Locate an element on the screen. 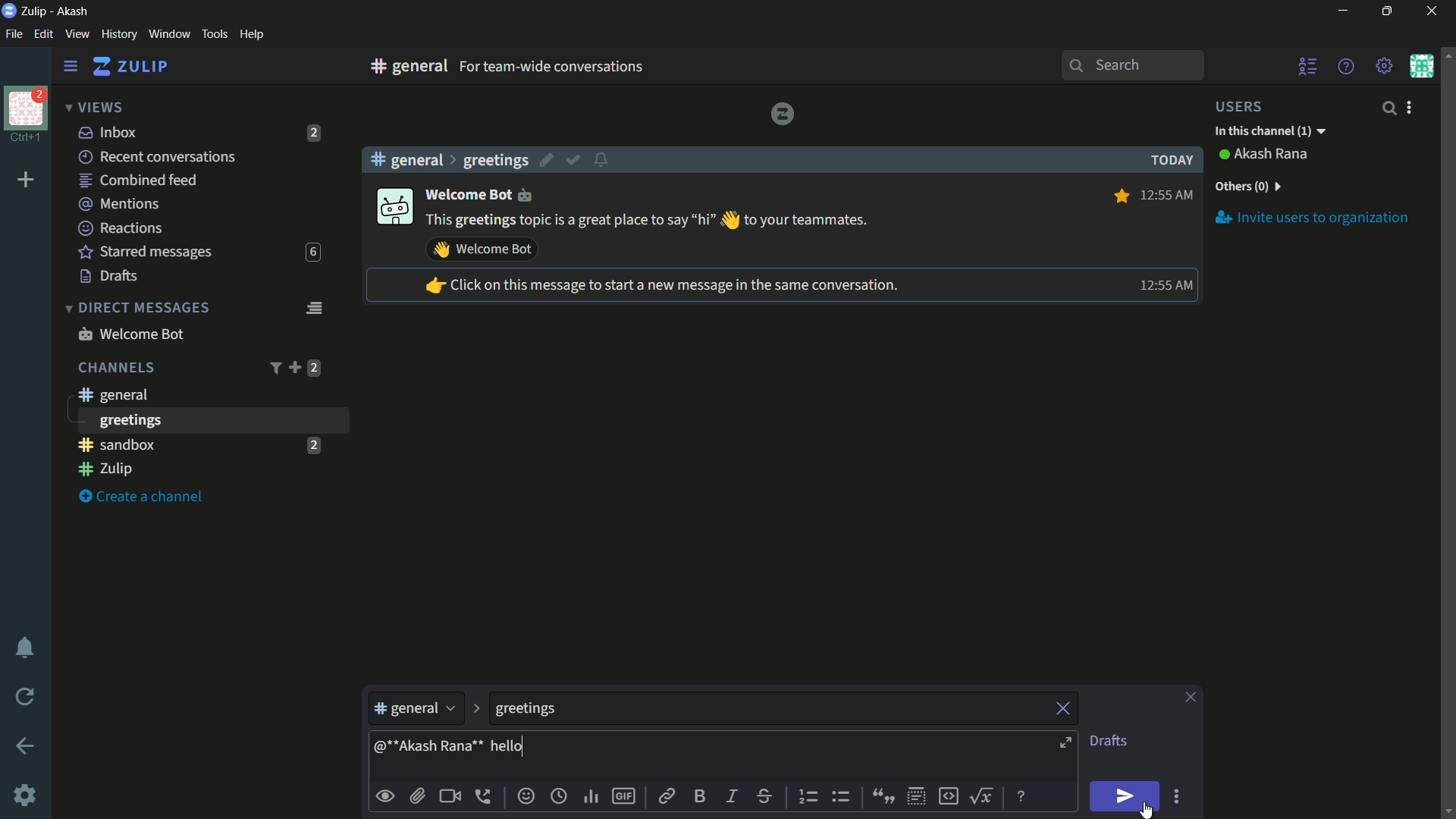 This screenshot has width=1456, height=819. expand is located at coordinates (1068, 745).